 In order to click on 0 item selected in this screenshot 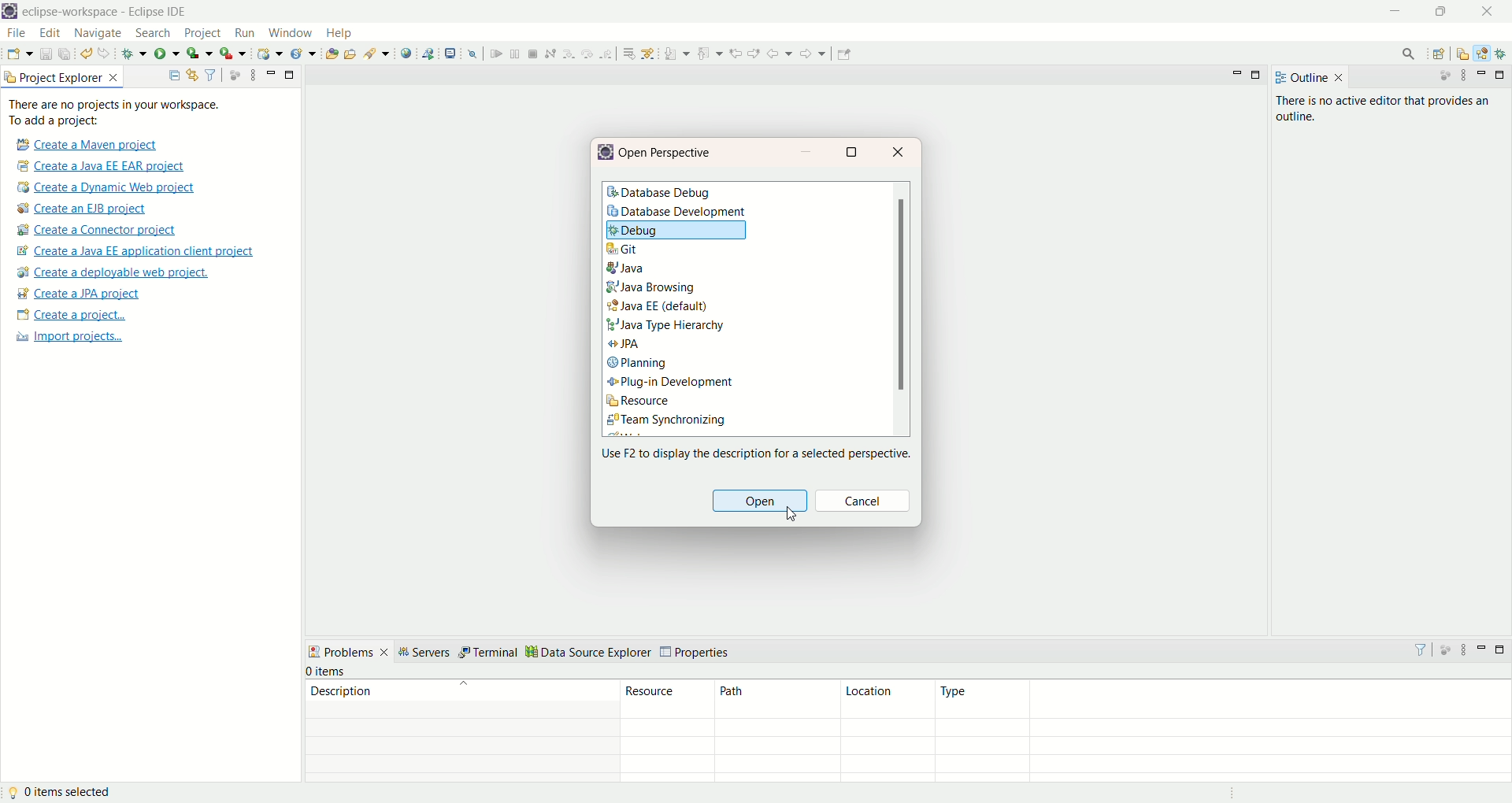, I will do `click(62, 793)`.